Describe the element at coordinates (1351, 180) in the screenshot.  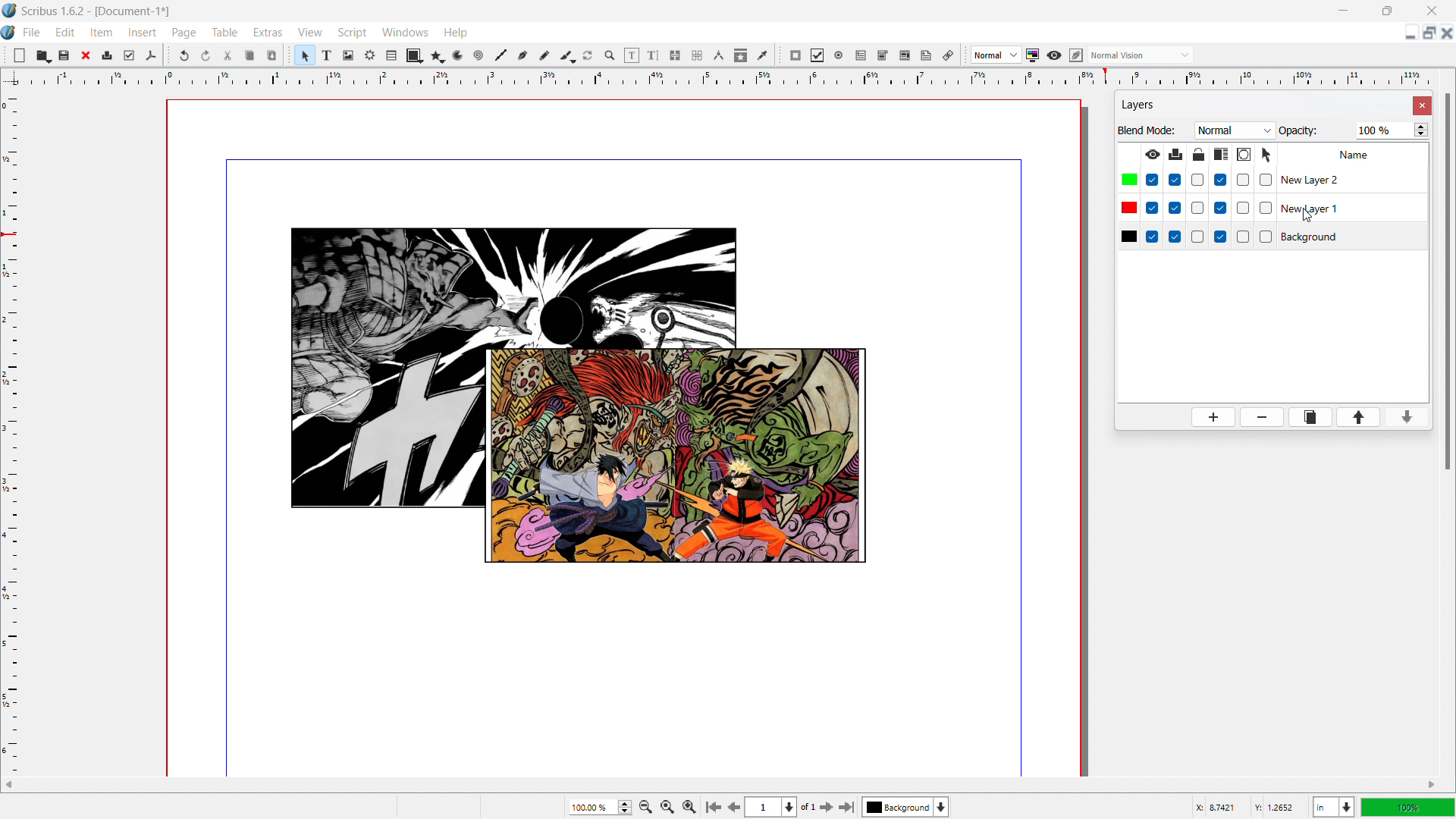
I see `layer 2` at that location.